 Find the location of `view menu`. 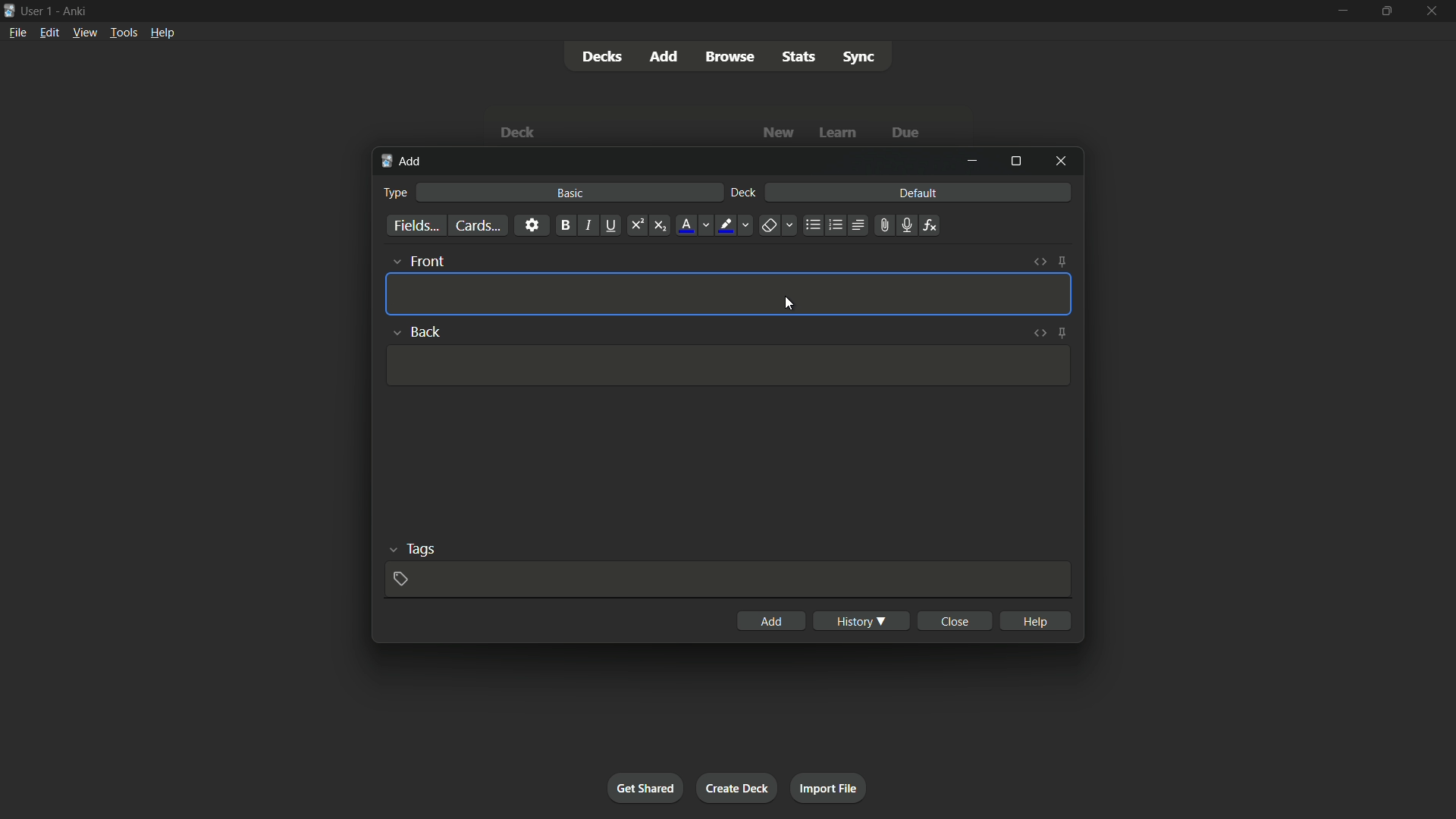

view menu is located at coordinates (83, 31).